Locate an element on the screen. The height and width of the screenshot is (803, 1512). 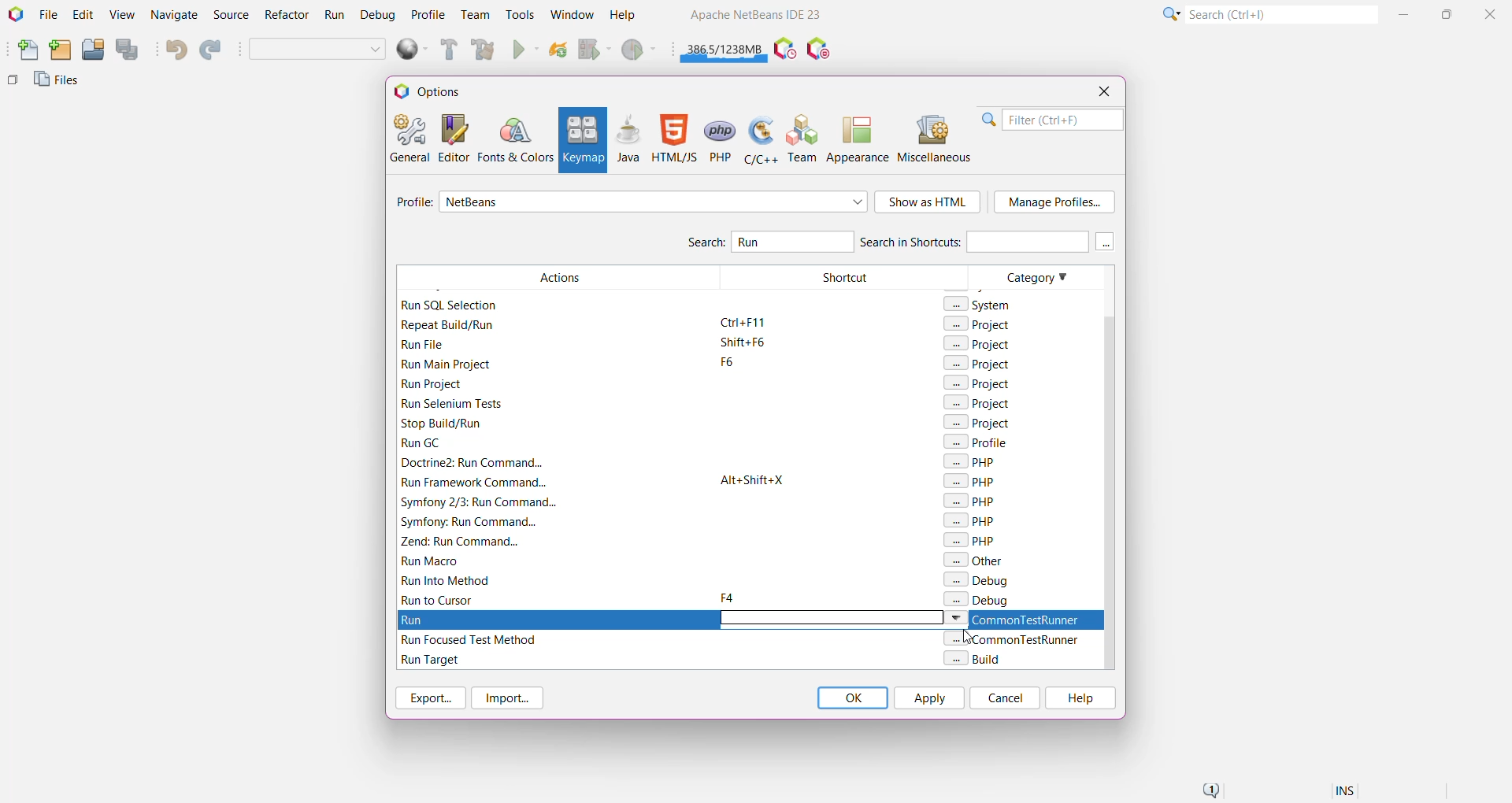
Click or press Shift+F10 for Category Selection is located at coordinates (1169, 13).